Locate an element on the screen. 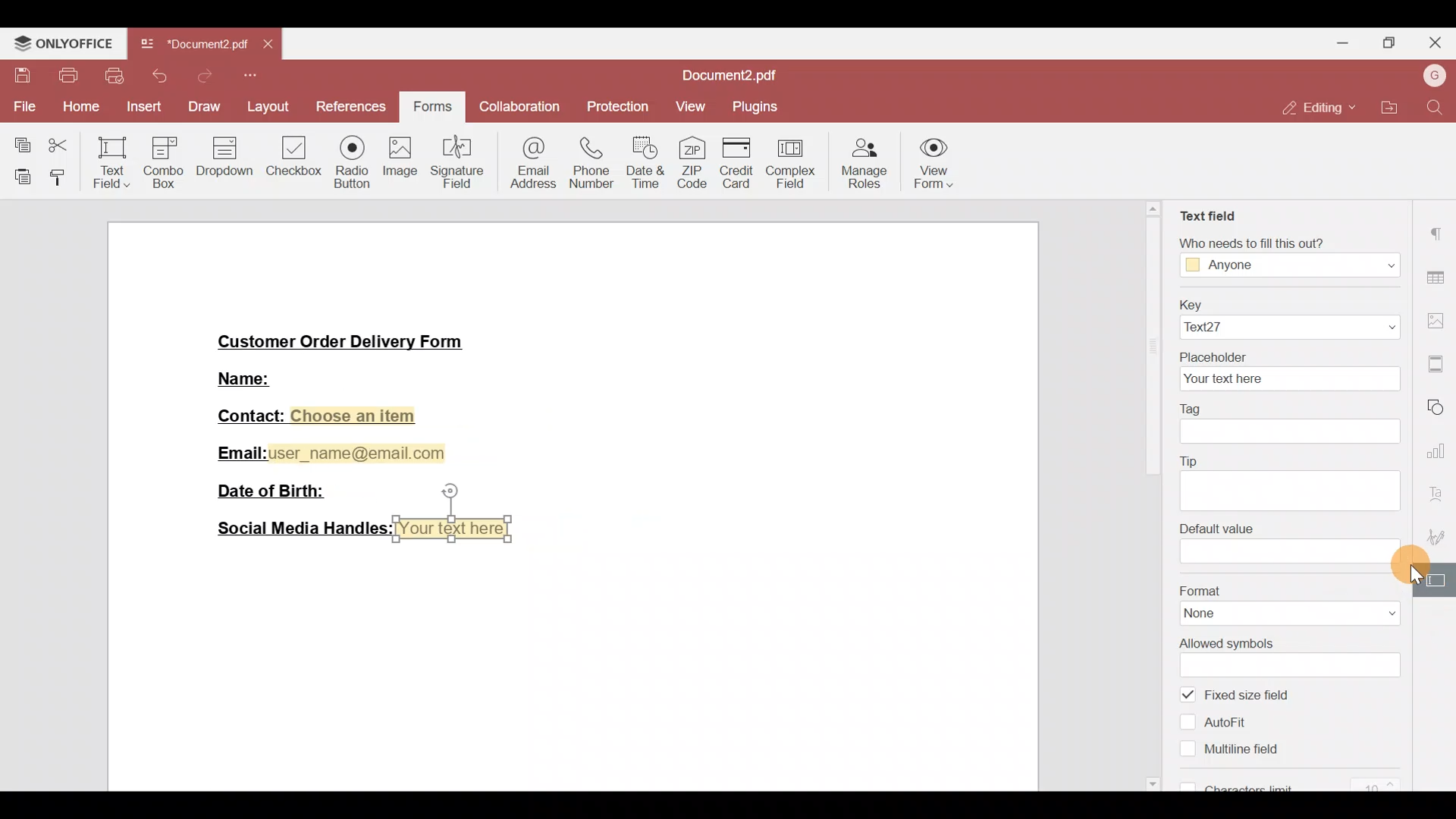  Image settings is located at coordinates (1439, 315).